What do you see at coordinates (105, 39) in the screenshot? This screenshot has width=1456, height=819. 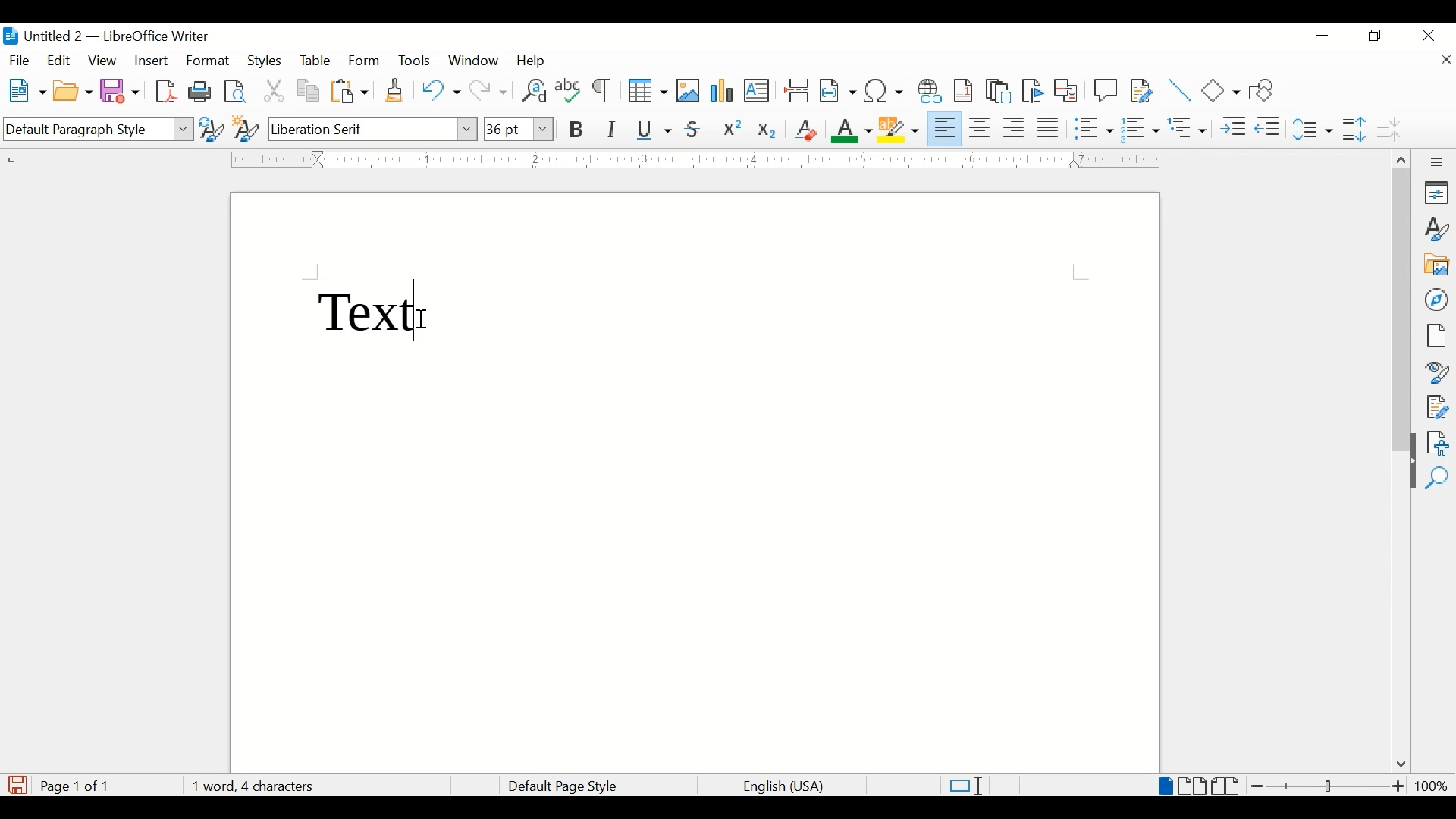 I see `untitled 2 - libreOffice Writer` at bounding box center [105, 39].